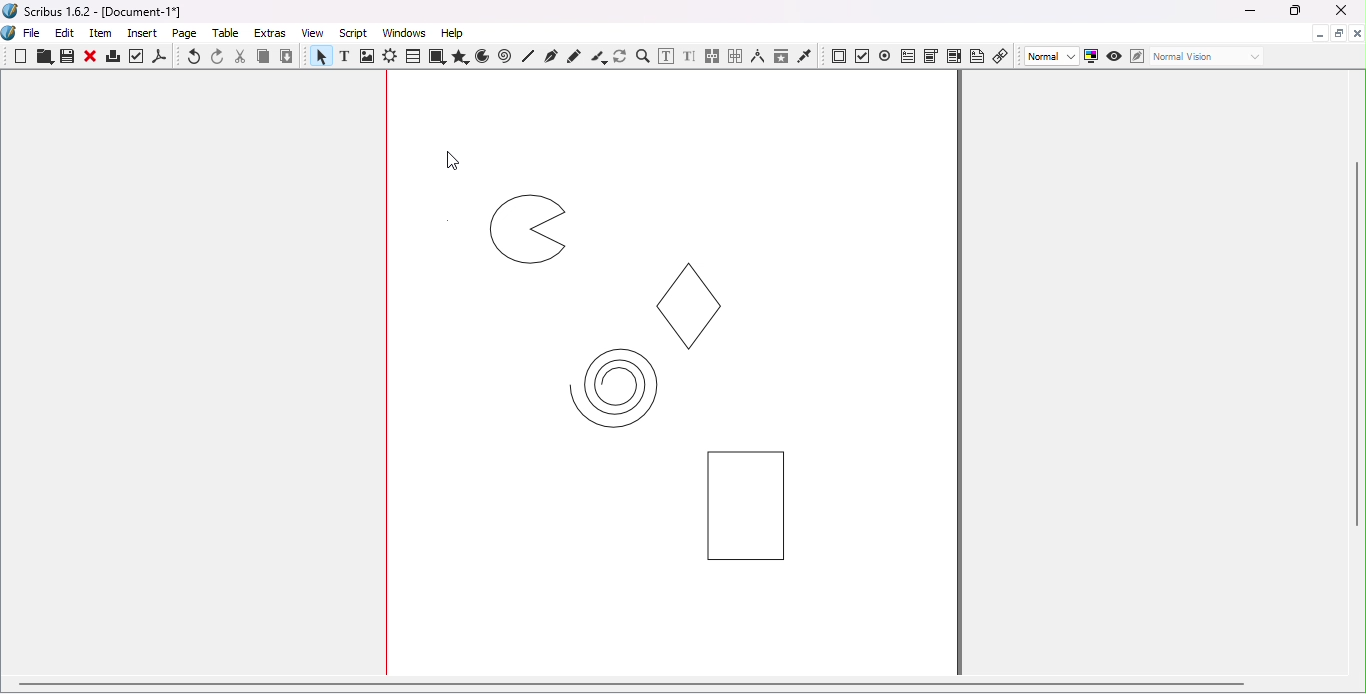 The image size is (1366, 694). What do you see at coordinates (188, 35) in the screenshot?
I see `Page` at bounding box center [188, 35].